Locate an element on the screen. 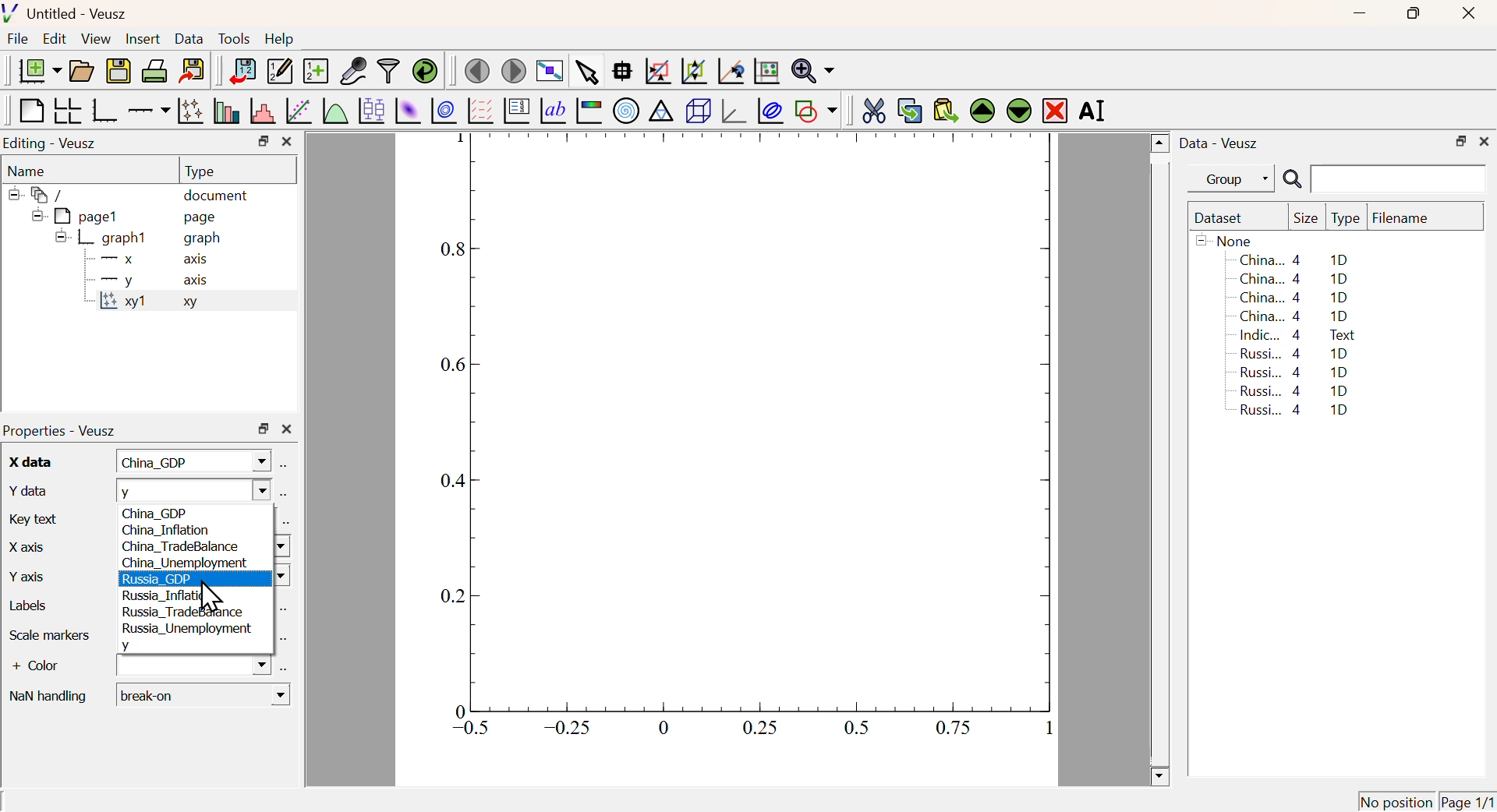 This screenshot has width=1497, height=812. Open a document is located at coordinates (80, 71).